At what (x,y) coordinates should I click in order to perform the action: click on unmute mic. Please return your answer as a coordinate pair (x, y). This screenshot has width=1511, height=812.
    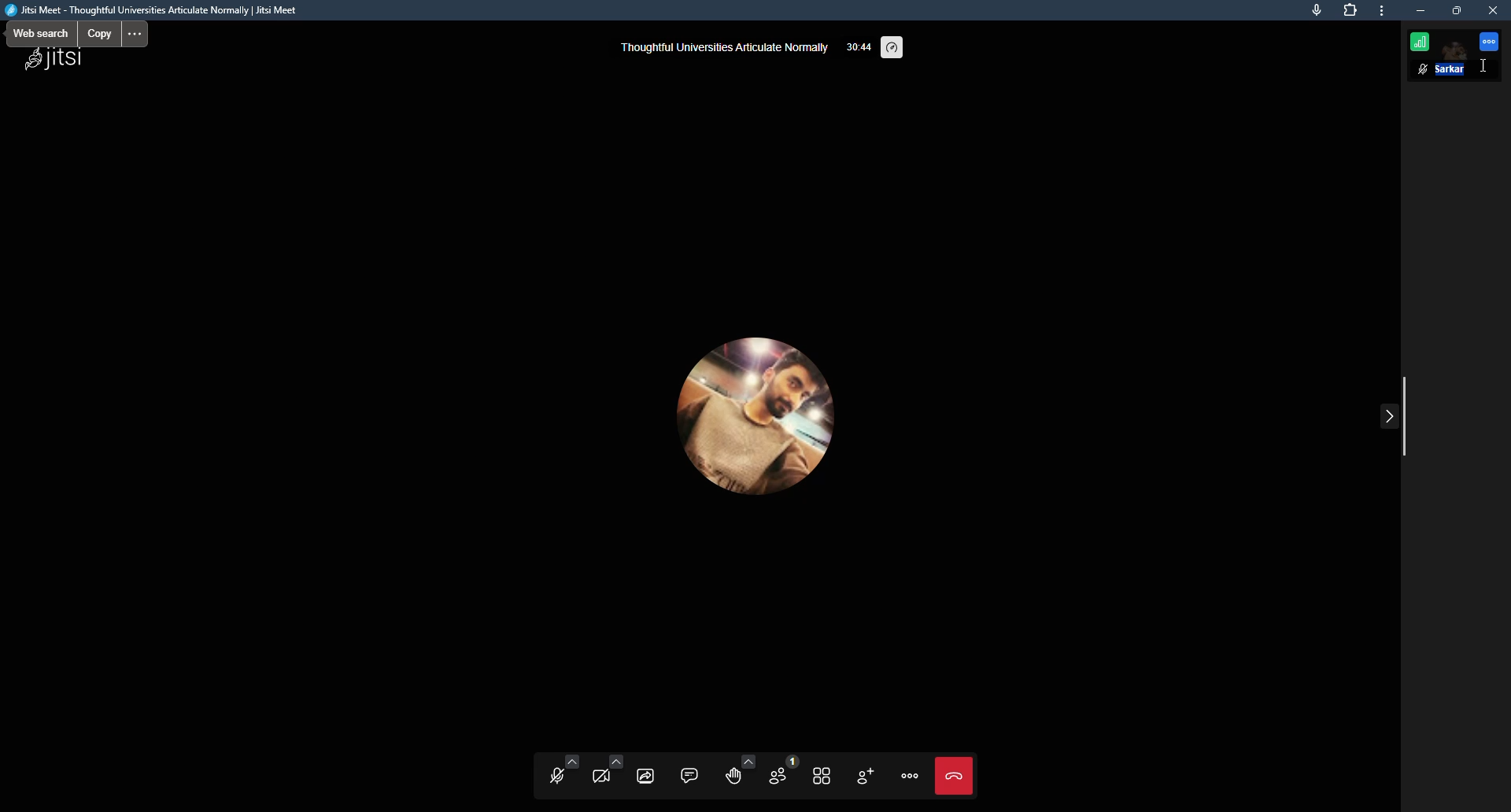
    Looking at the image, I should click on (555, 774).